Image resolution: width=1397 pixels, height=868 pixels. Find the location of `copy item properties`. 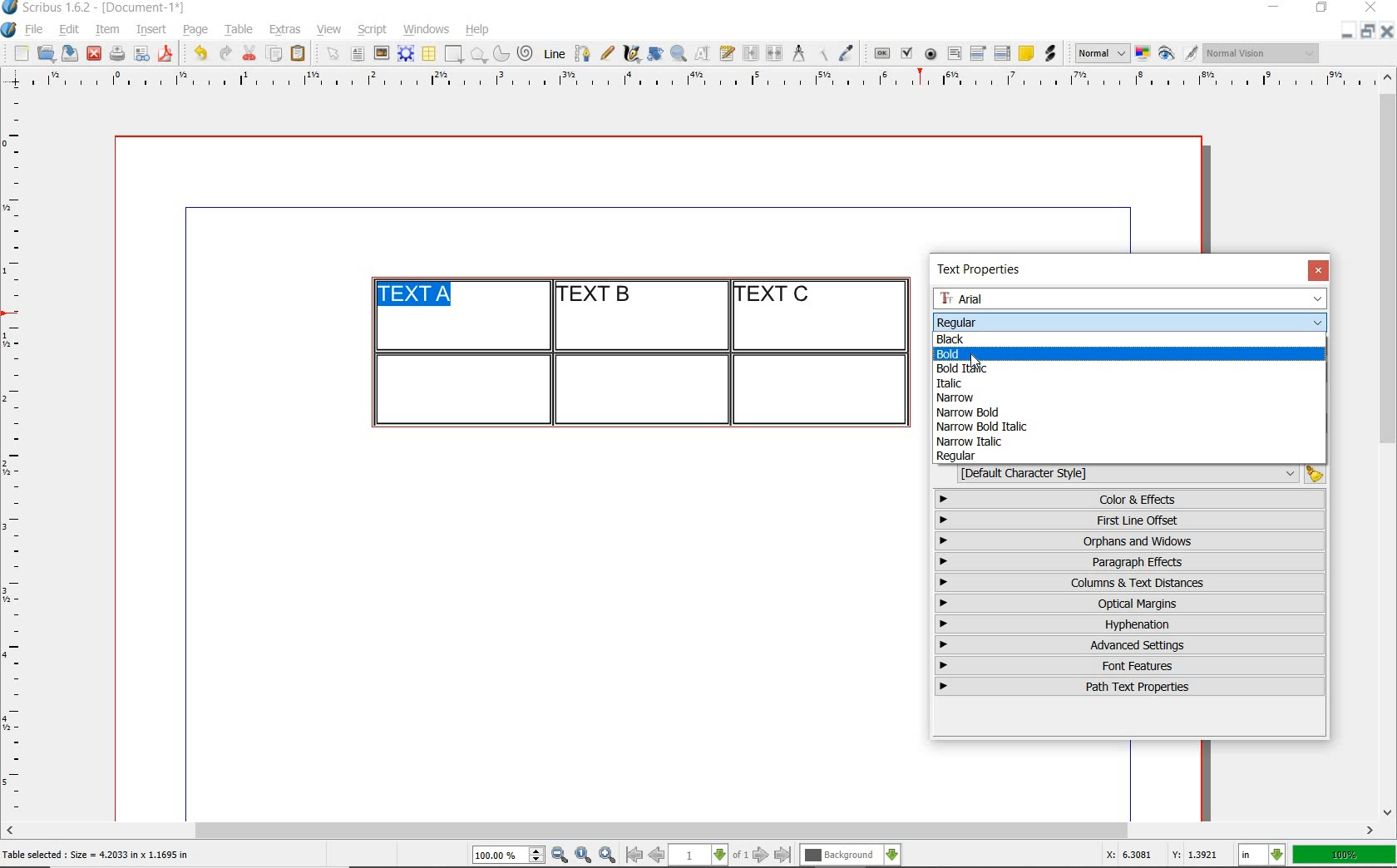

copy item properties is located at coordinates (822, 53).